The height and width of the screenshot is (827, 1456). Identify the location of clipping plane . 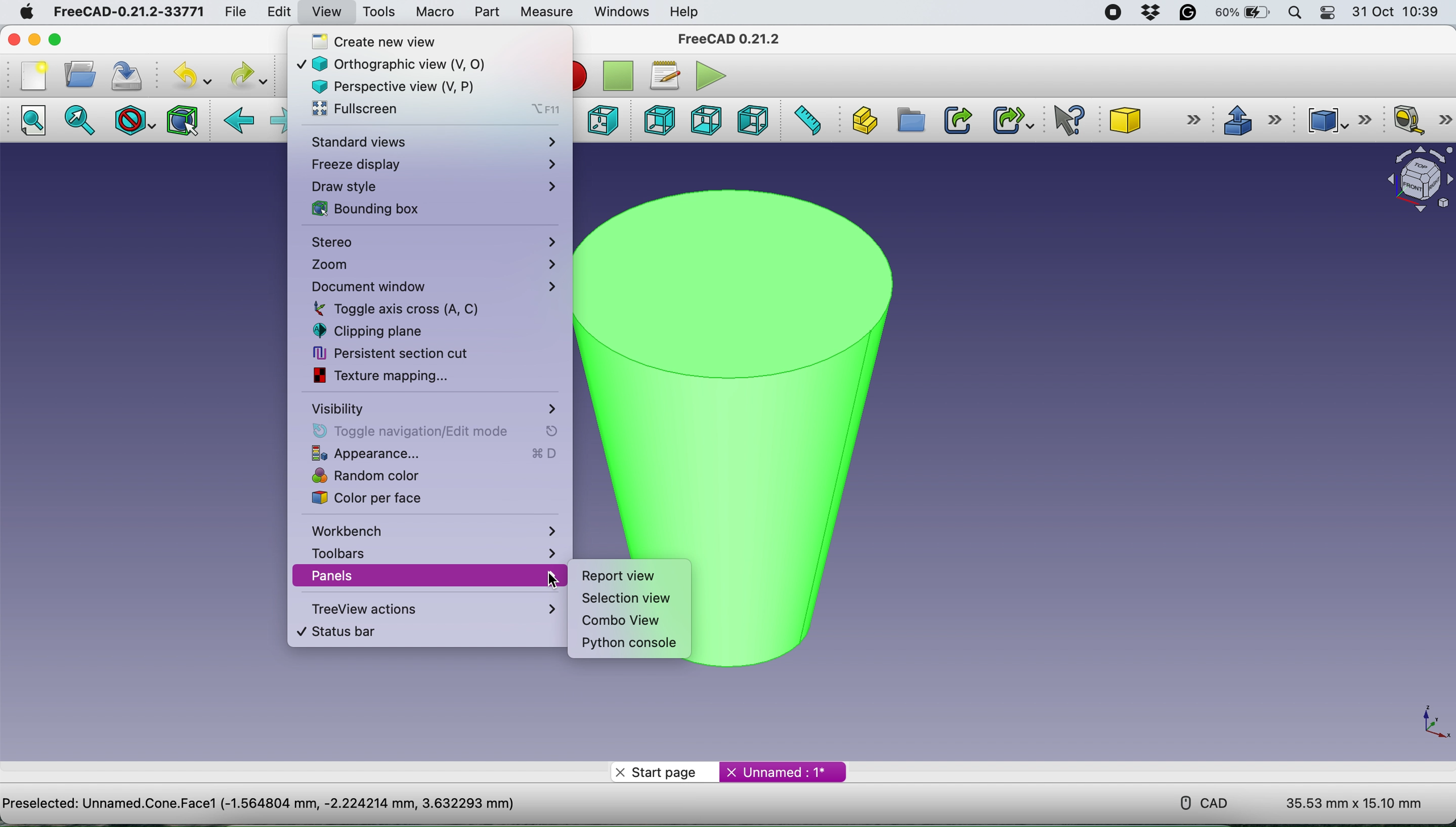
(405, 331).